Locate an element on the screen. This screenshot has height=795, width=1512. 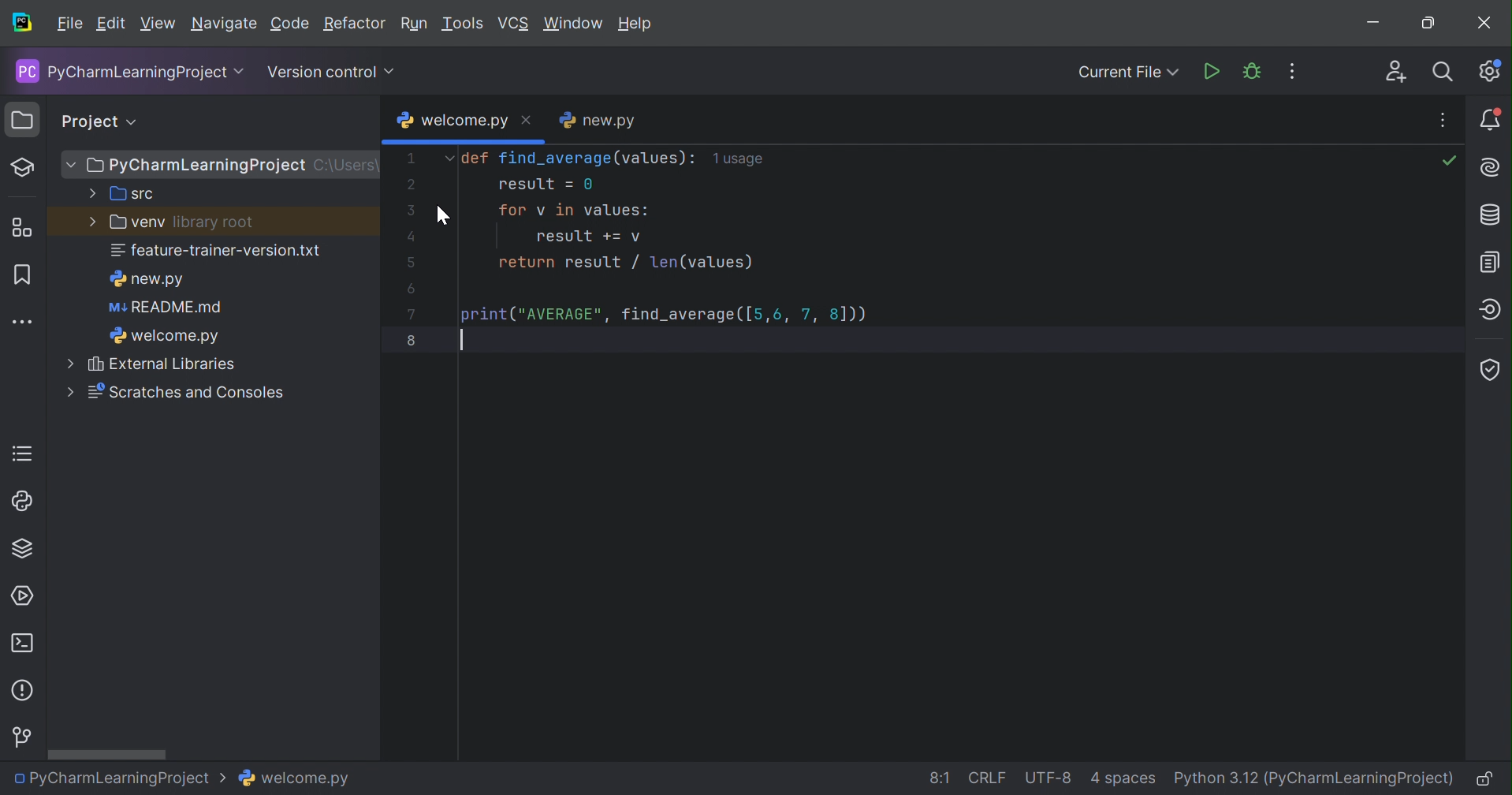
PyCharmLearningProject is located at coordinates (188, 166).